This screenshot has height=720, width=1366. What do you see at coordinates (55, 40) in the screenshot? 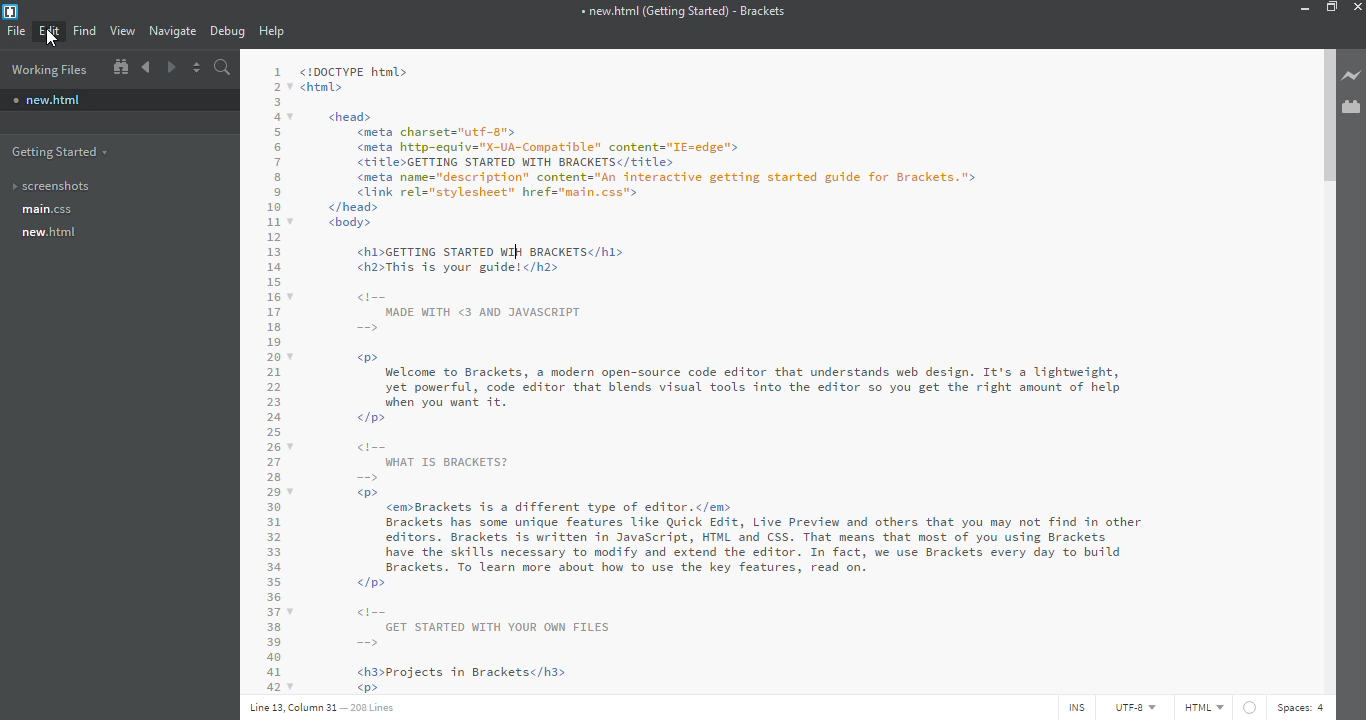
I see `cursor` at bounding box center [55, 40].